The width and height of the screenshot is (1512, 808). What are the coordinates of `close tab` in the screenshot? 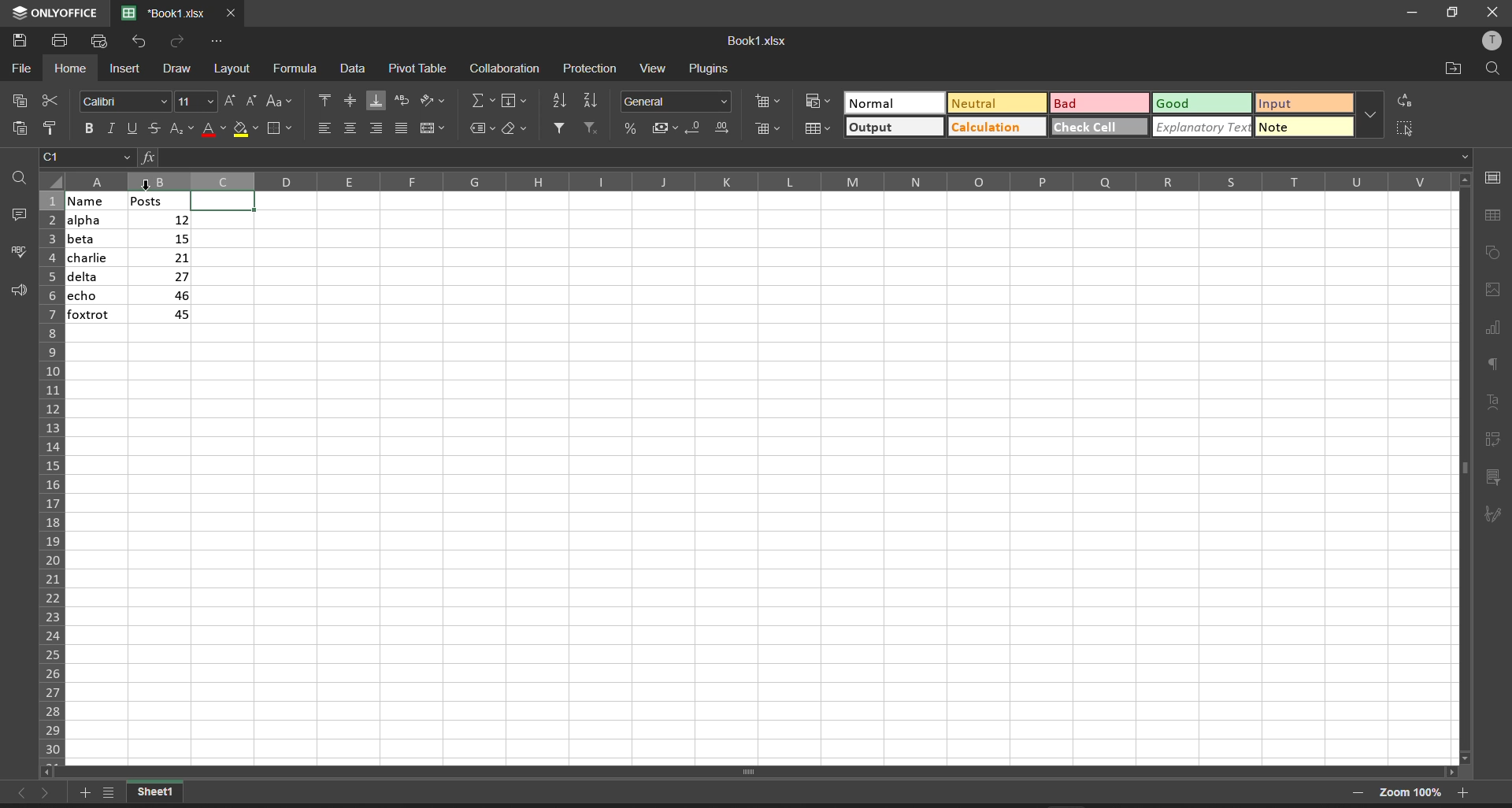 It's located at (232, 12).